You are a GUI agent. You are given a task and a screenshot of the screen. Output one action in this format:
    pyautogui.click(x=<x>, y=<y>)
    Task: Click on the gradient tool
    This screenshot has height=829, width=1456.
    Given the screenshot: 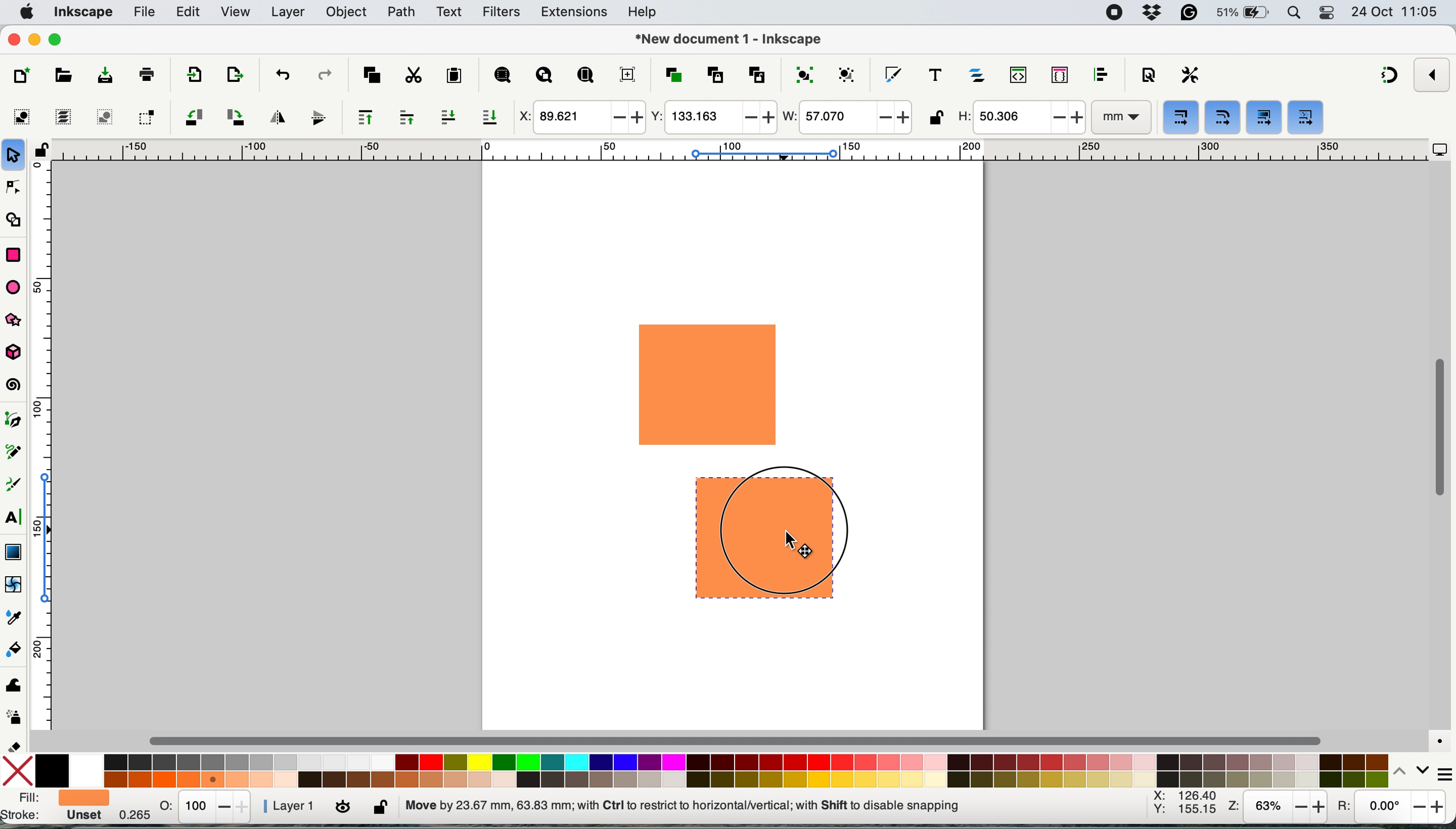 What is the action you would take?
    pyautogui.click(x=13, y=550)
    